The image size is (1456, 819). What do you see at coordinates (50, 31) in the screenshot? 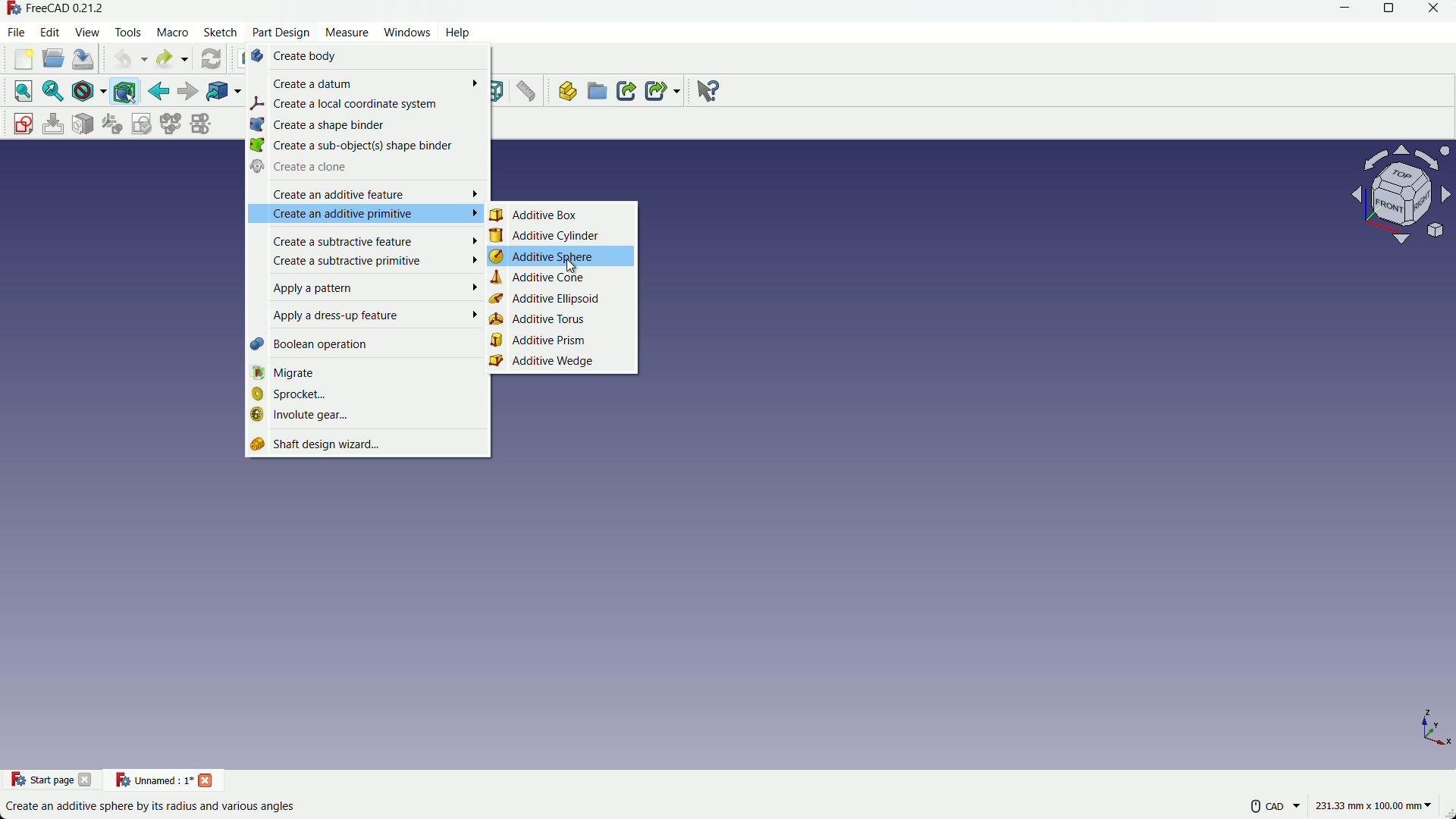
I see `edit ` at bounding box center [50, 31].